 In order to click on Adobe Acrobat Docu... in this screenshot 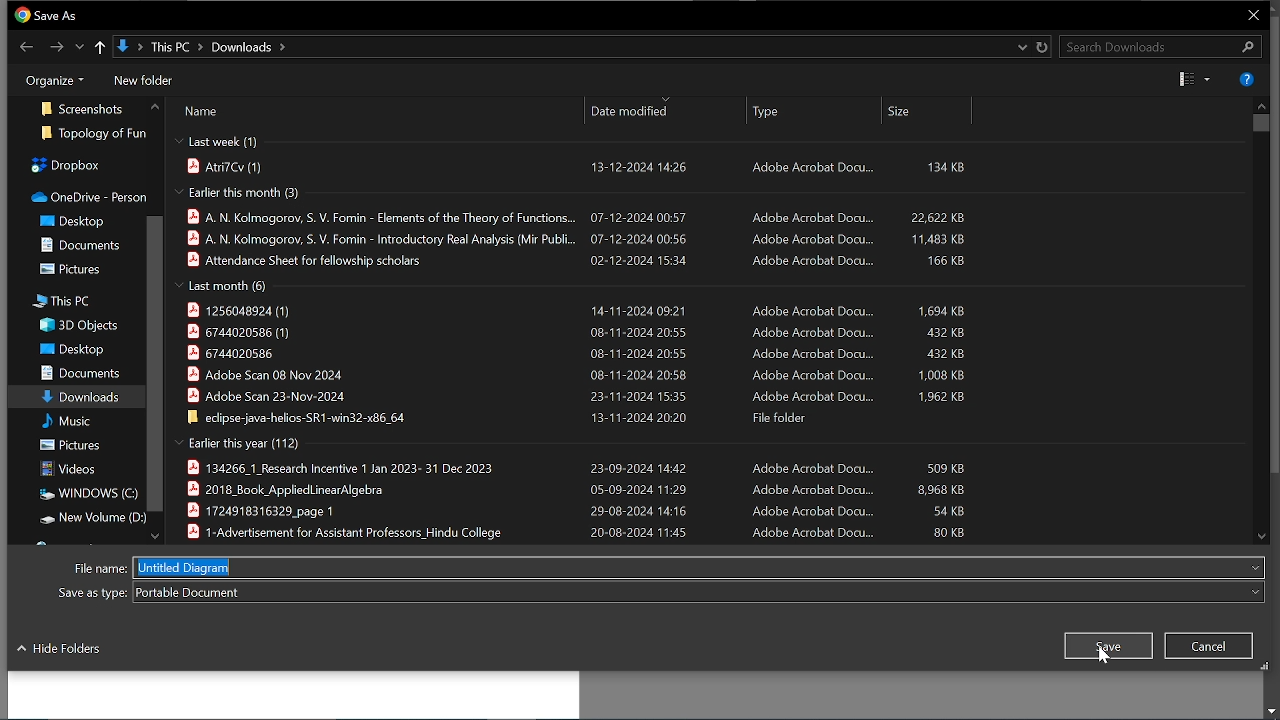, I will do `click(812, 396)`.